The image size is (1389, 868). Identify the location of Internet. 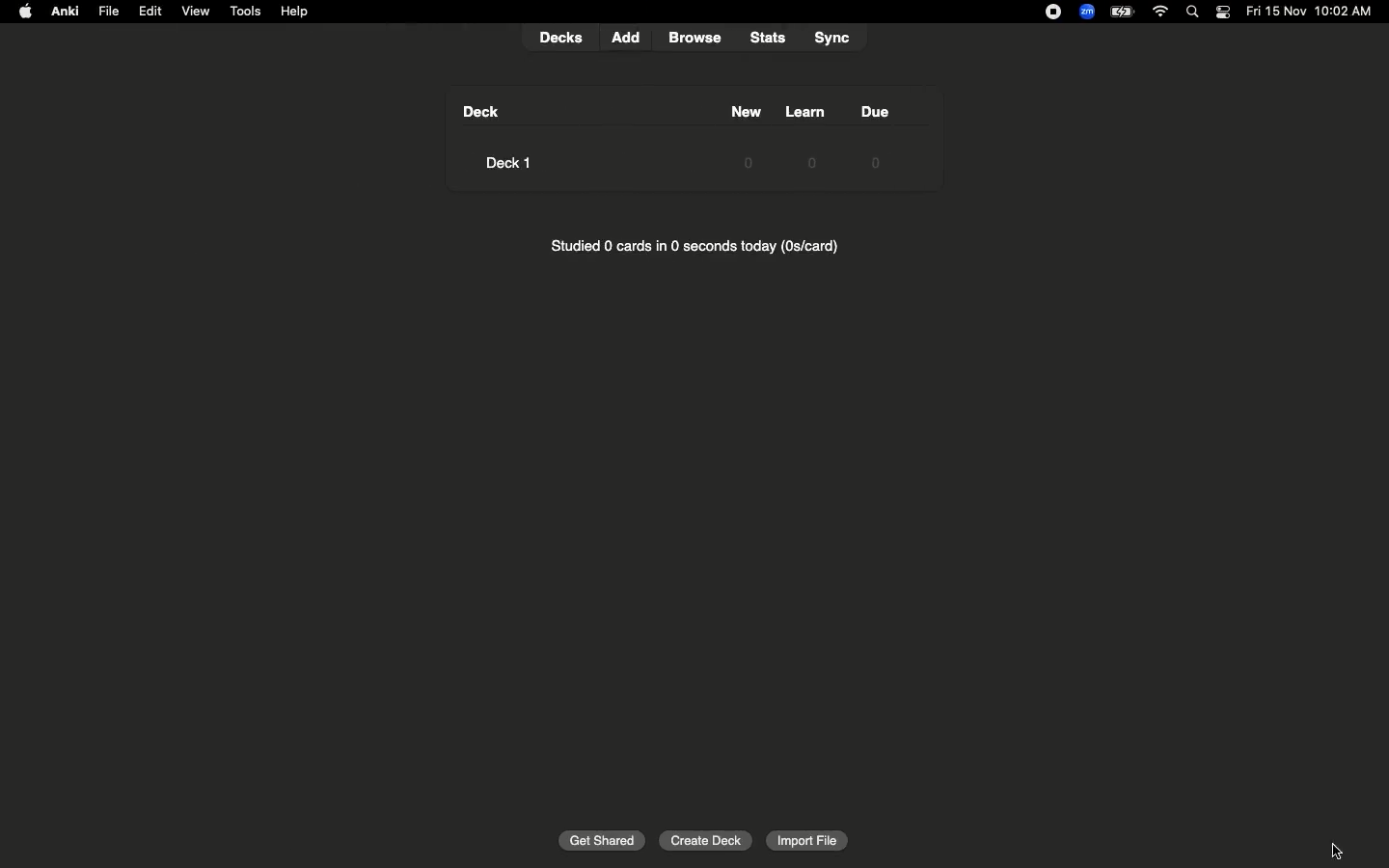
(1162, 13).